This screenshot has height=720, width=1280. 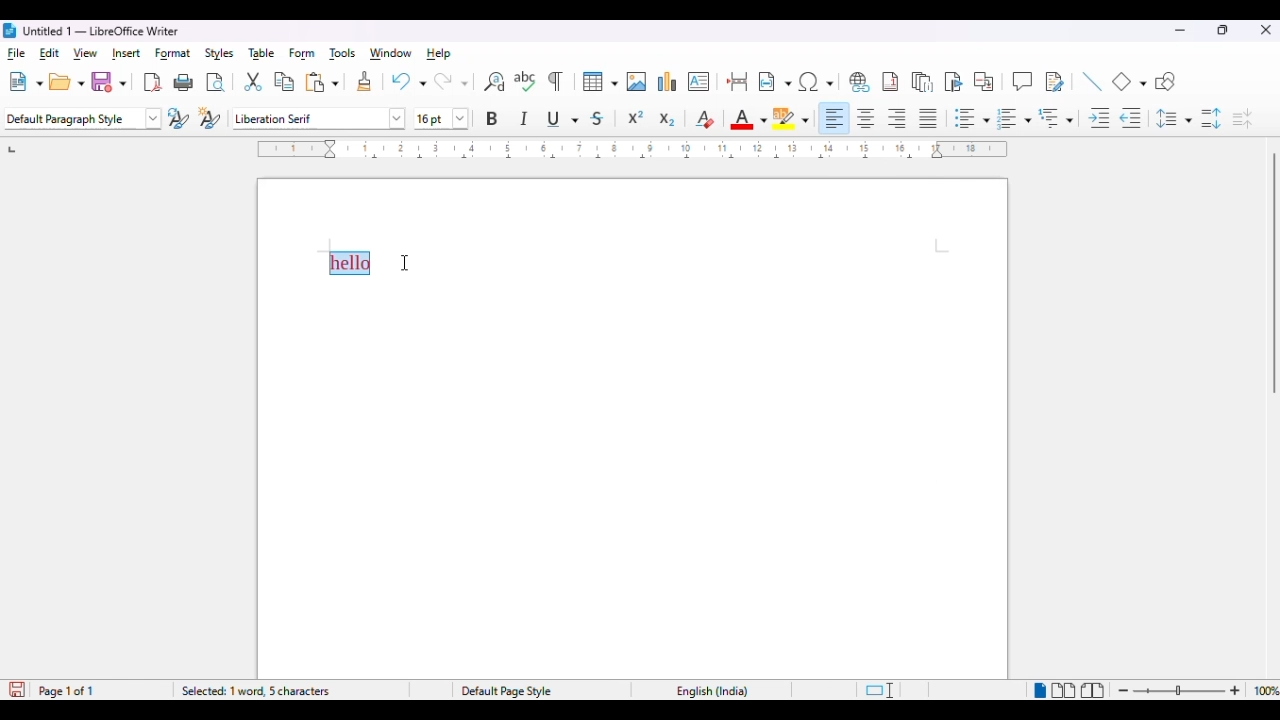 What do you see at coordinates (56, 689) in the screenshot?
I see ` Paget 1 of 1` at bounding box center [56, 689].